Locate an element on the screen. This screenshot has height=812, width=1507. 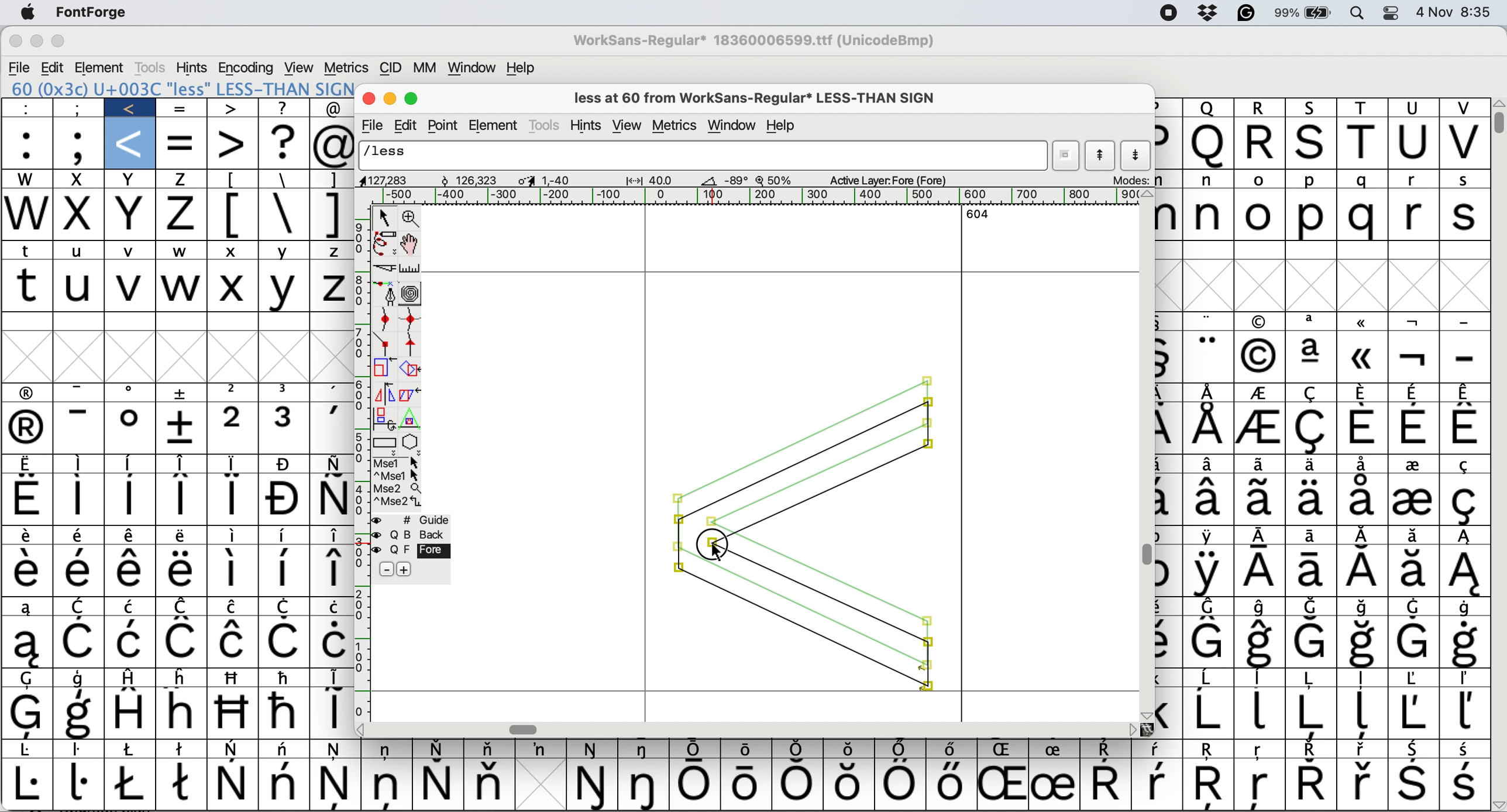
zoom is located at coordinates (412, 217).